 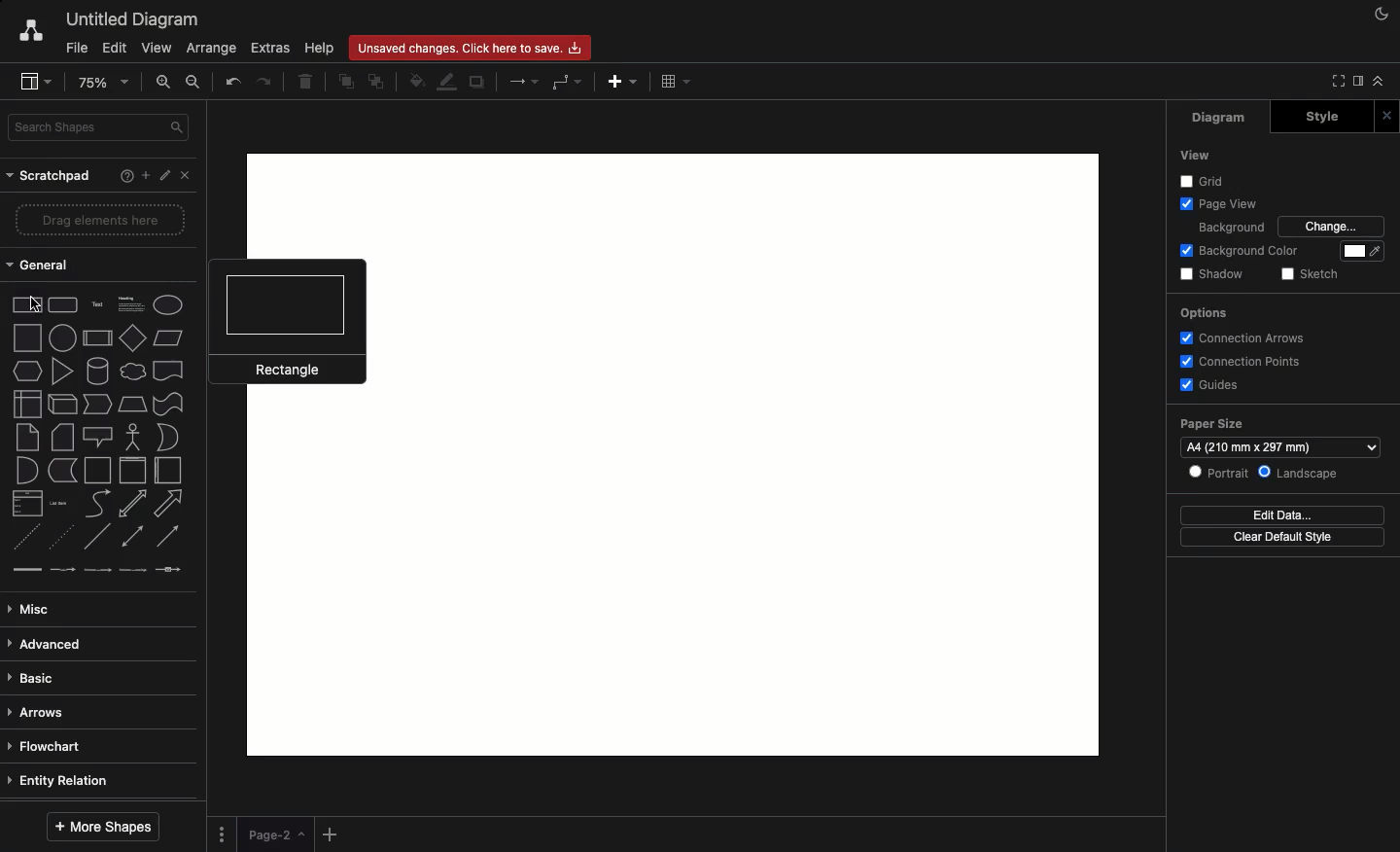 I want to click on Rounded rectangle, so click(x=65, y=306).